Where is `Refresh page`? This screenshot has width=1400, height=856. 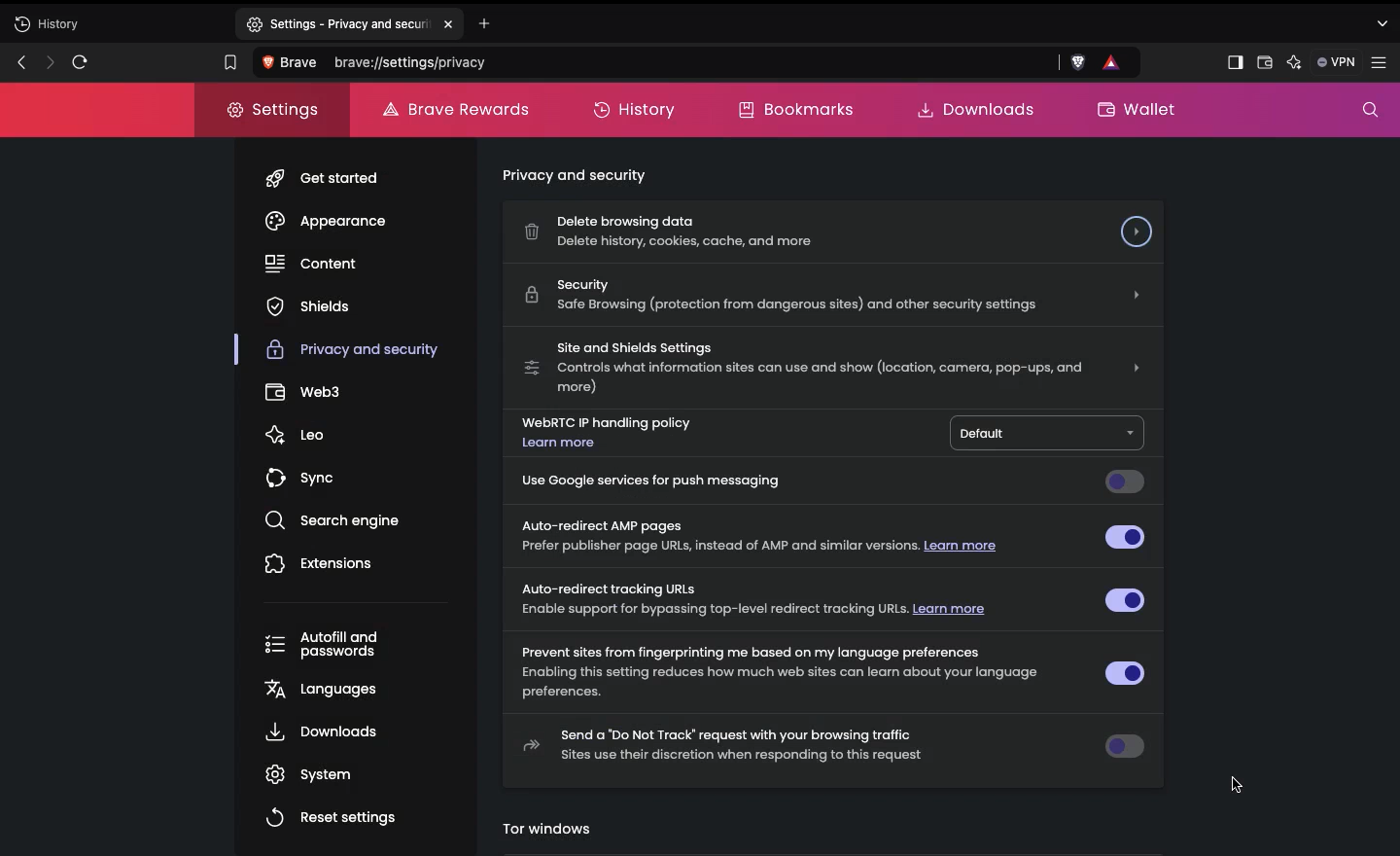
Refresh page is located at coordinates (80, 61).